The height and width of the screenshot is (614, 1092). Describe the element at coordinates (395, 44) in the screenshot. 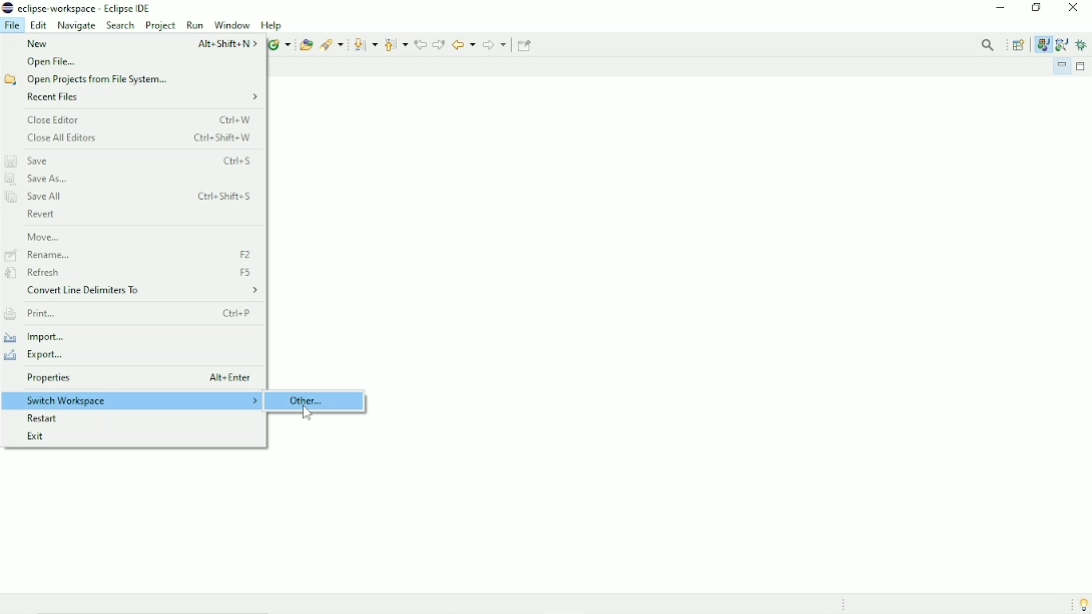

I see `Previous annotation` at that location.